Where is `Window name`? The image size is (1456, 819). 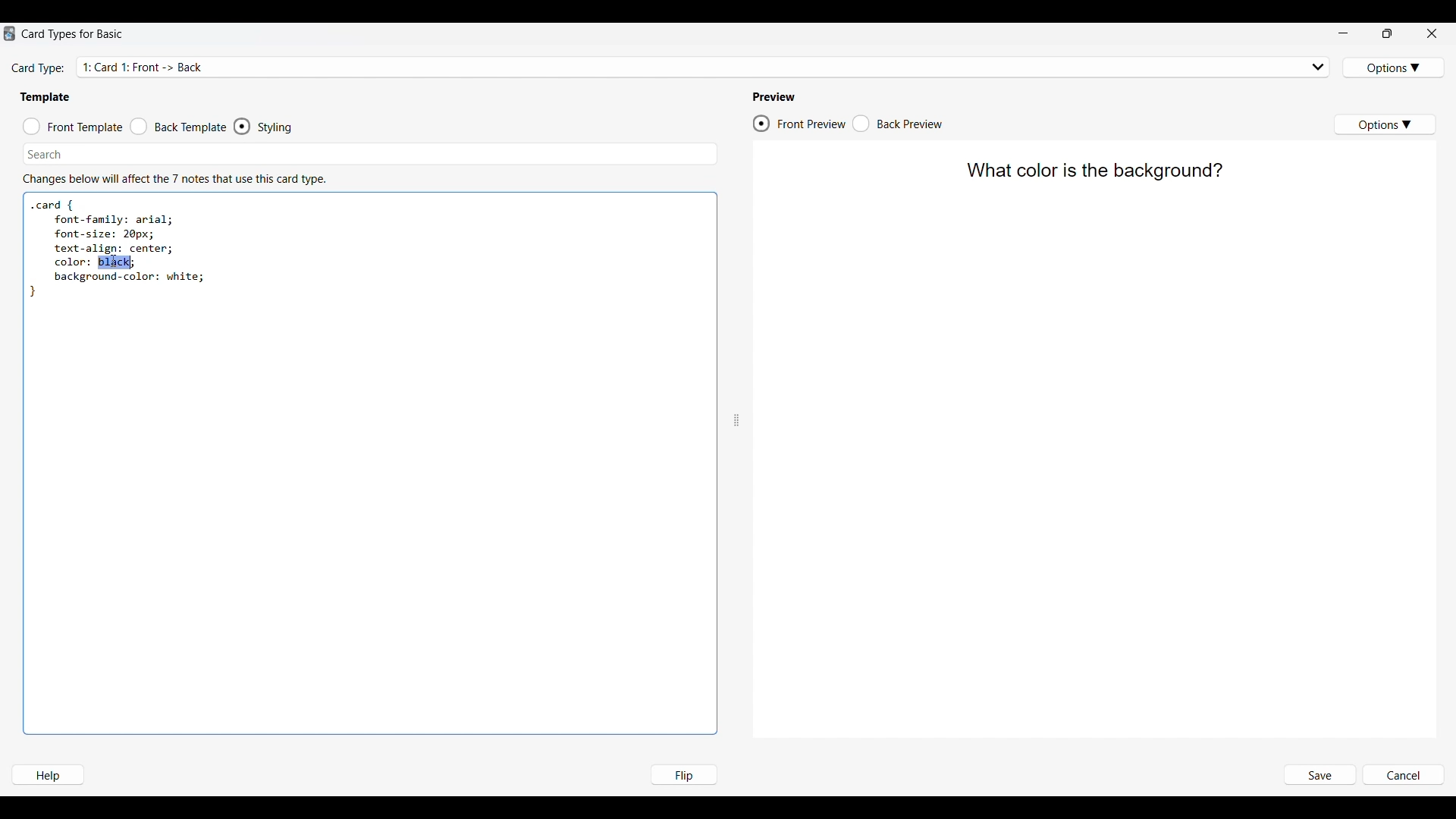 Window name is located at coordinates (74, 34).